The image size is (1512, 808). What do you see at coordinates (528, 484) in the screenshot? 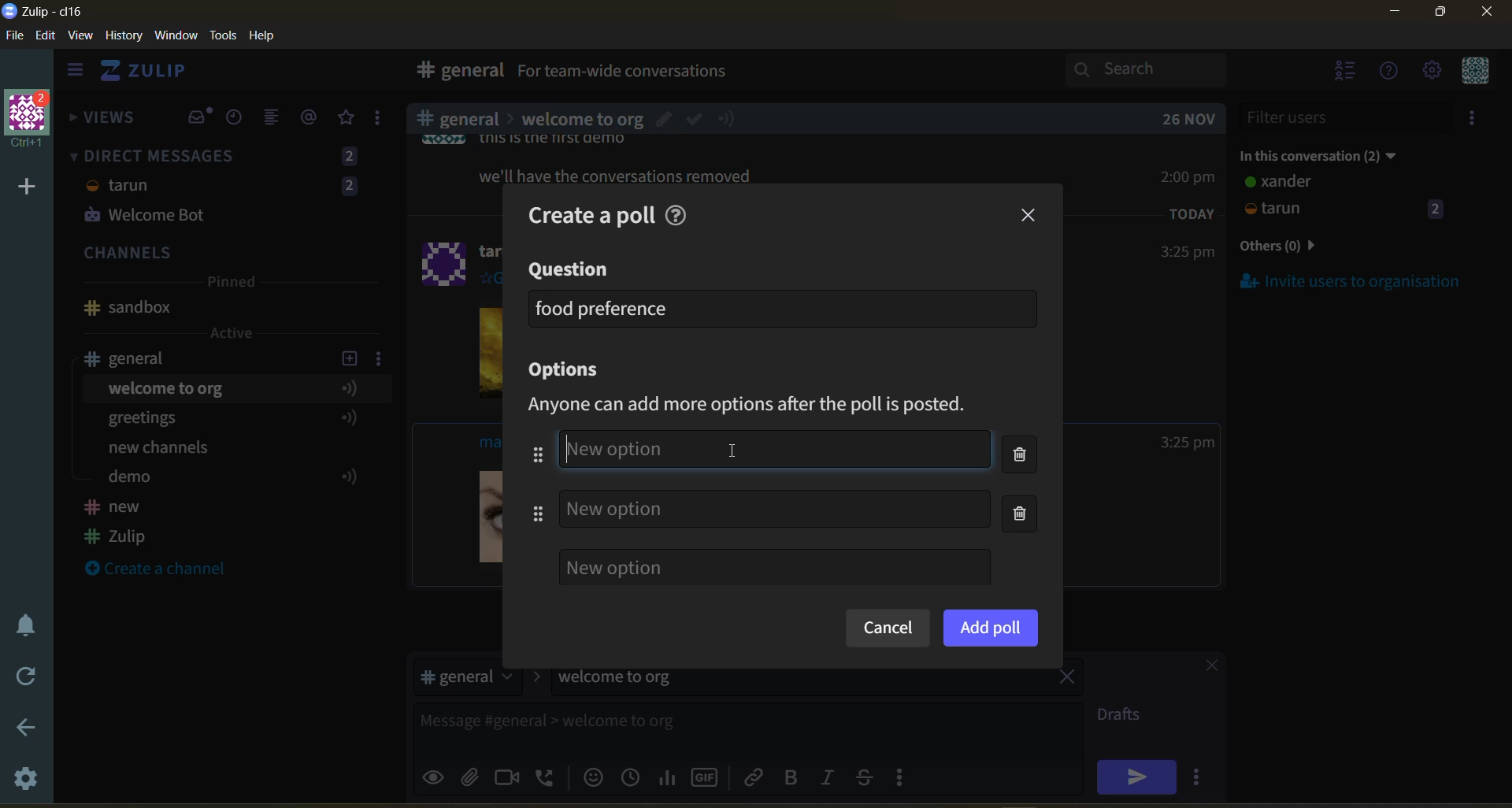
I see `rearrange` at bounding box center [528, 484].